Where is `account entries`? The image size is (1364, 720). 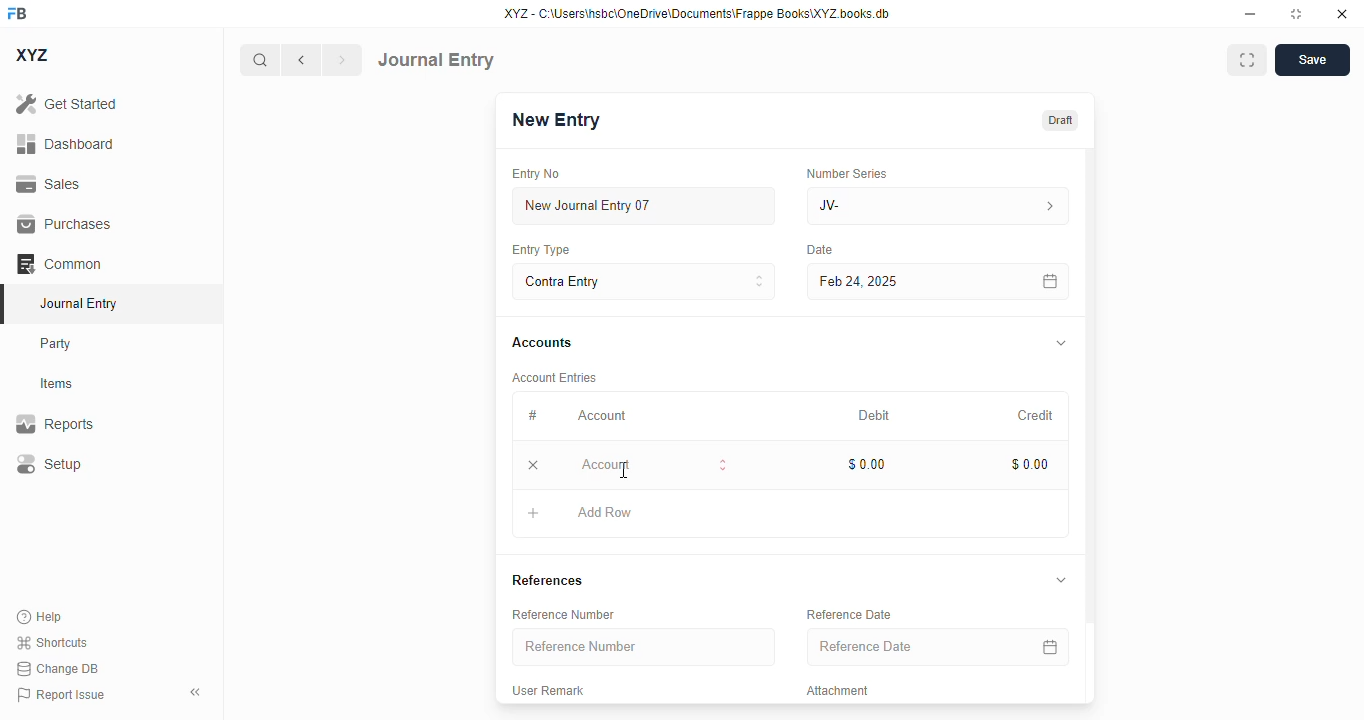
account entries is located at coordinates (556, 377).